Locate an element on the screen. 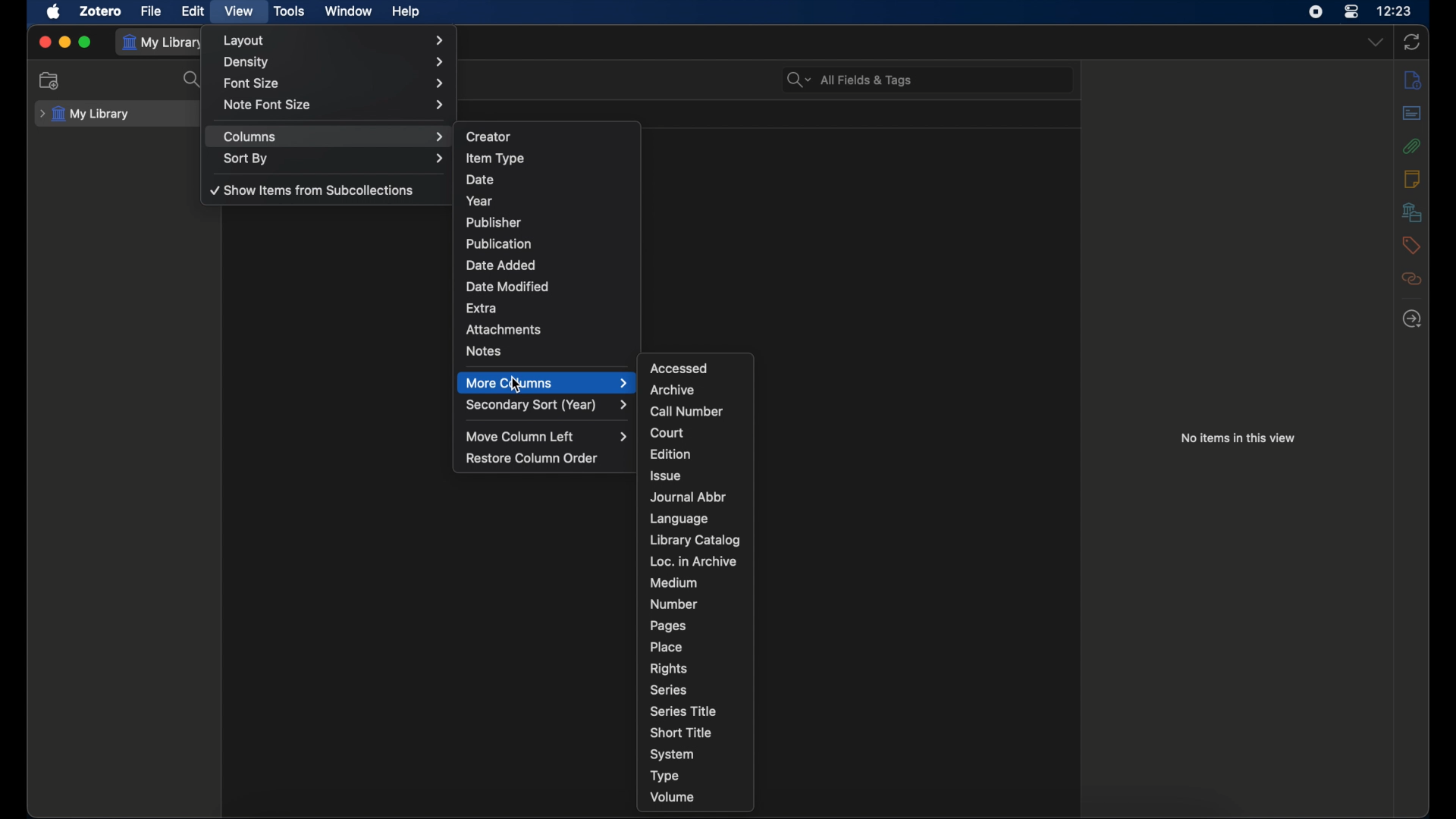 This screenshot has height=819, width=1456. notes is located at coordinates (1412, 179).